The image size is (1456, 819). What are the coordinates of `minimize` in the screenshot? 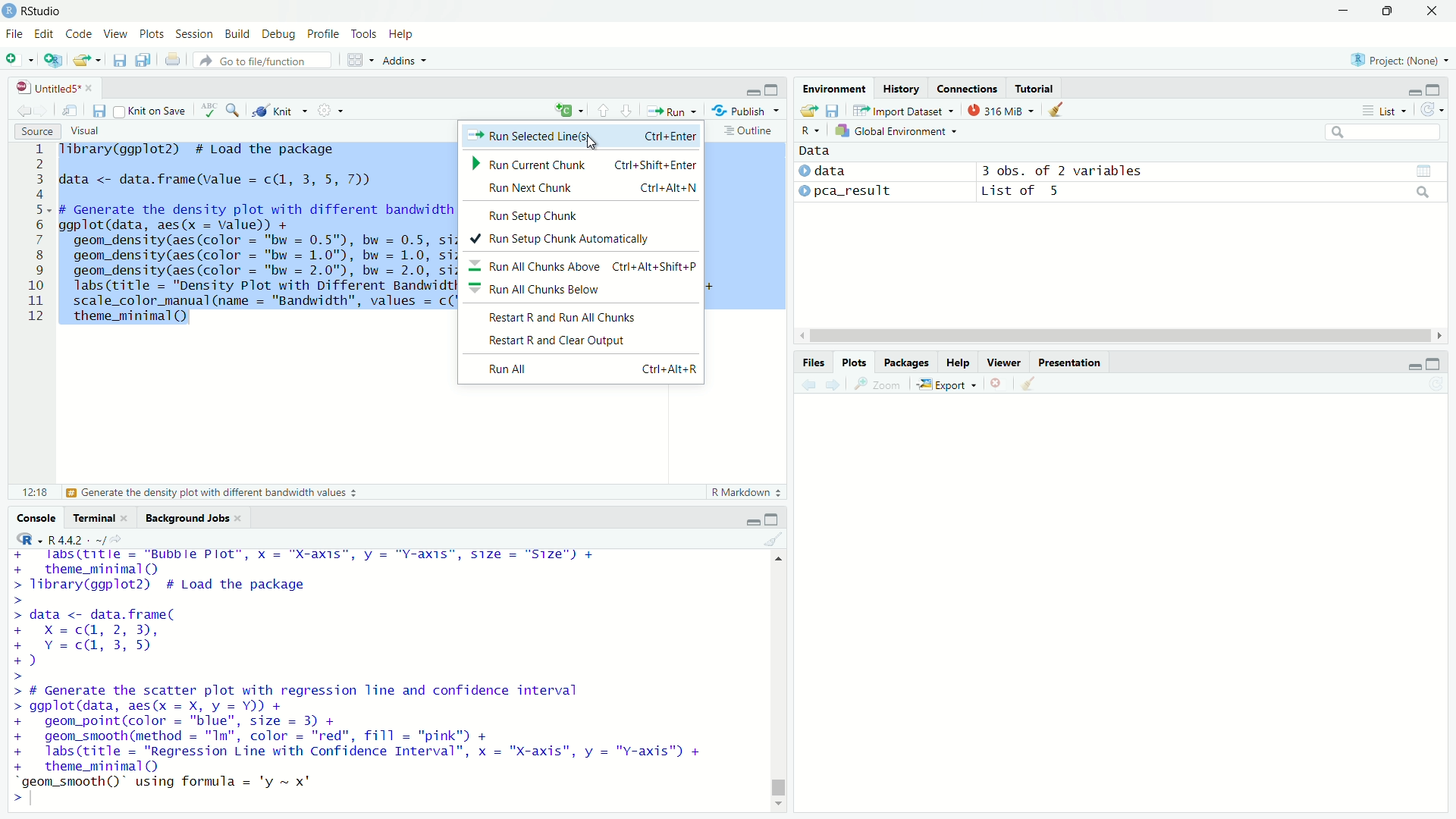 It's located at (1413, 93).